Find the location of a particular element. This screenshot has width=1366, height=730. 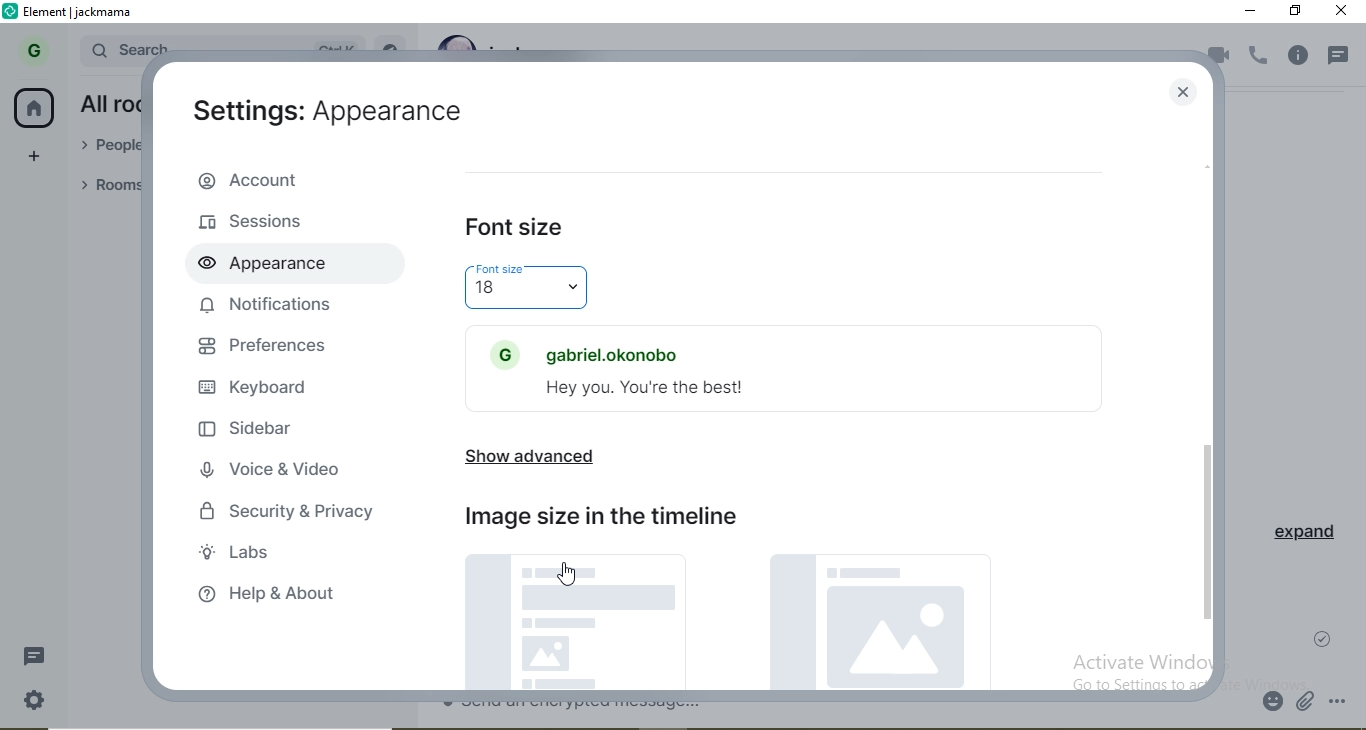

Activate Windows is located at coordinates (1143, 661).